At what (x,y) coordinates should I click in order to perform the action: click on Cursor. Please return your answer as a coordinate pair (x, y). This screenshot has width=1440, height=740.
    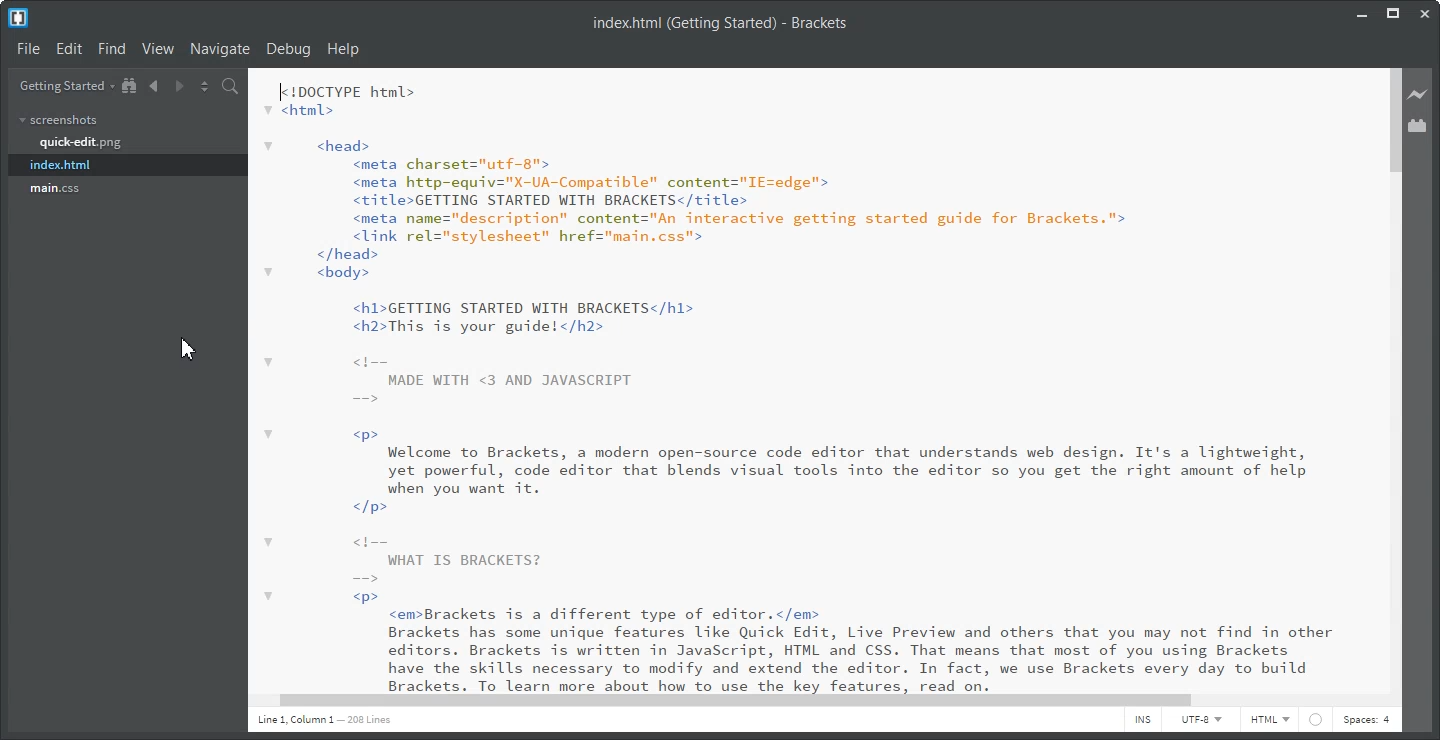
    Looking at the image, I should click on (189, 347).